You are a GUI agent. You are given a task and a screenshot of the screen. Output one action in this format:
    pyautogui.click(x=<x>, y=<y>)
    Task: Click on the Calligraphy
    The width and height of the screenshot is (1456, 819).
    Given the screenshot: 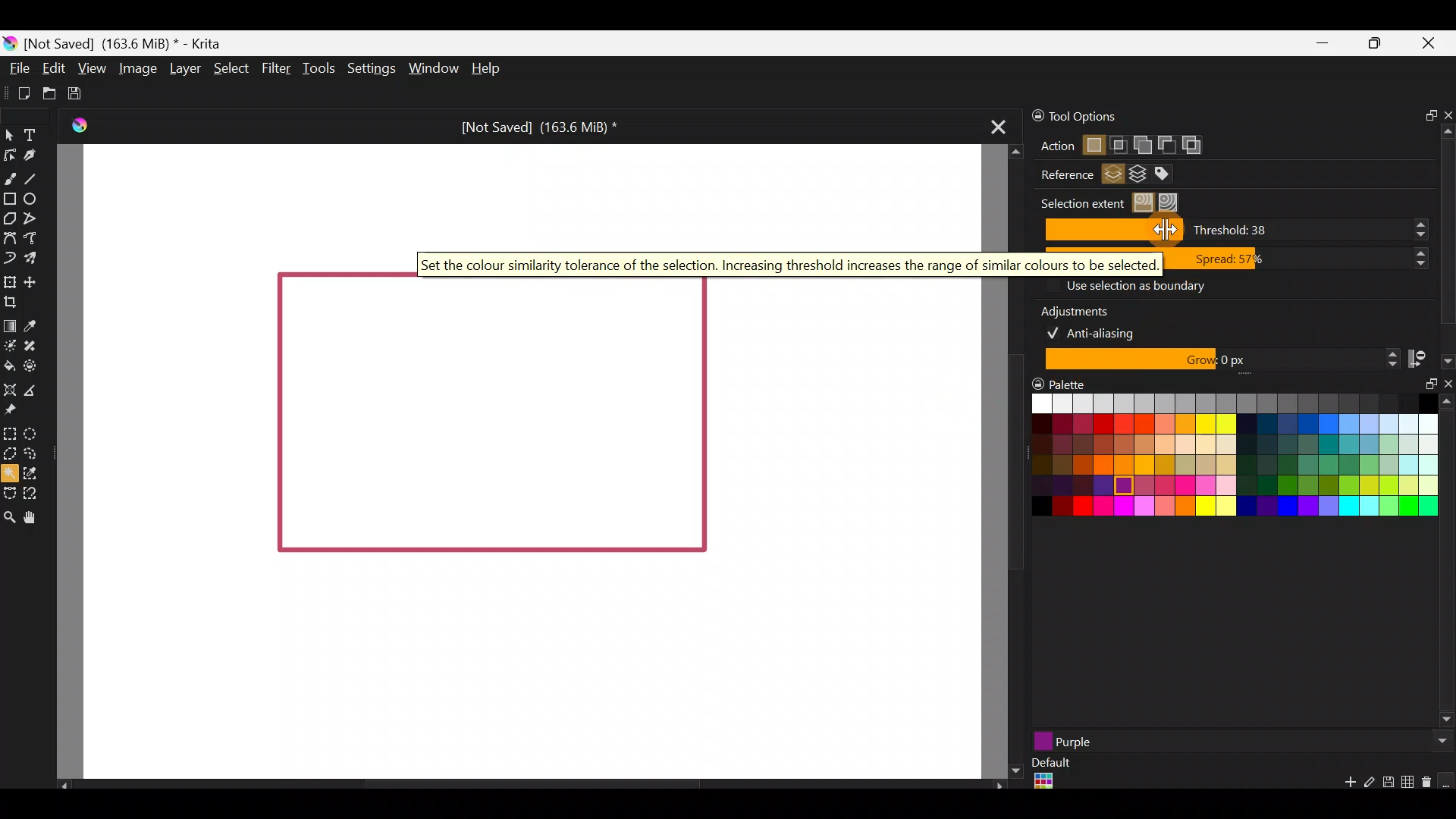 What is the action you would take?
    pyautogui.click(x=33, y=155)
    